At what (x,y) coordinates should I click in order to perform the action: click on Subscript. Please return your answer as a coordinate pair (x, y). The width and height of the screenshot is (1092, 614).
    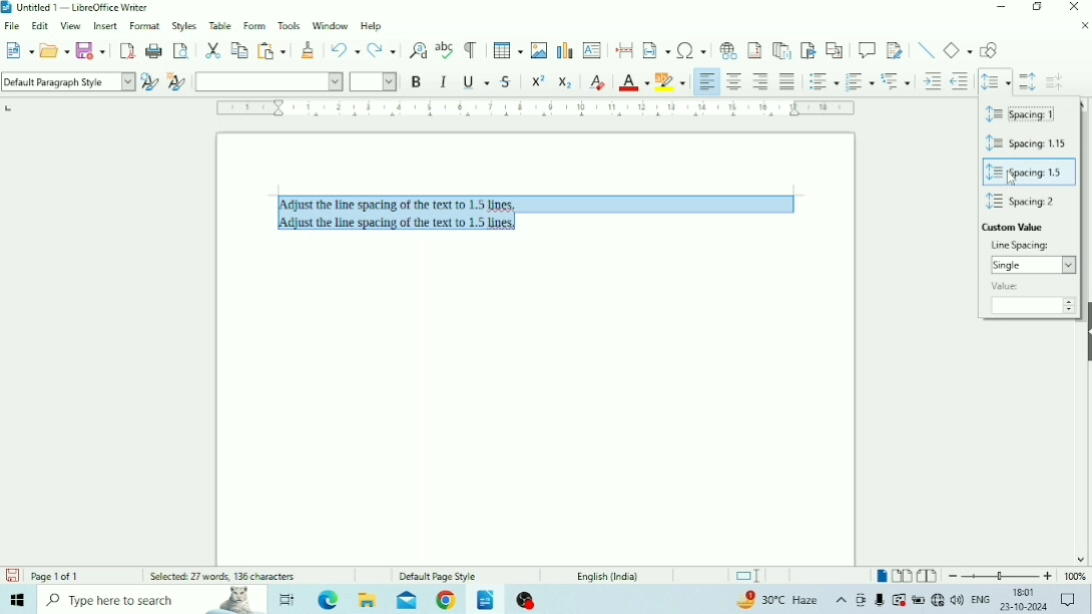
    Looking at the image, I should click on (566, 82).